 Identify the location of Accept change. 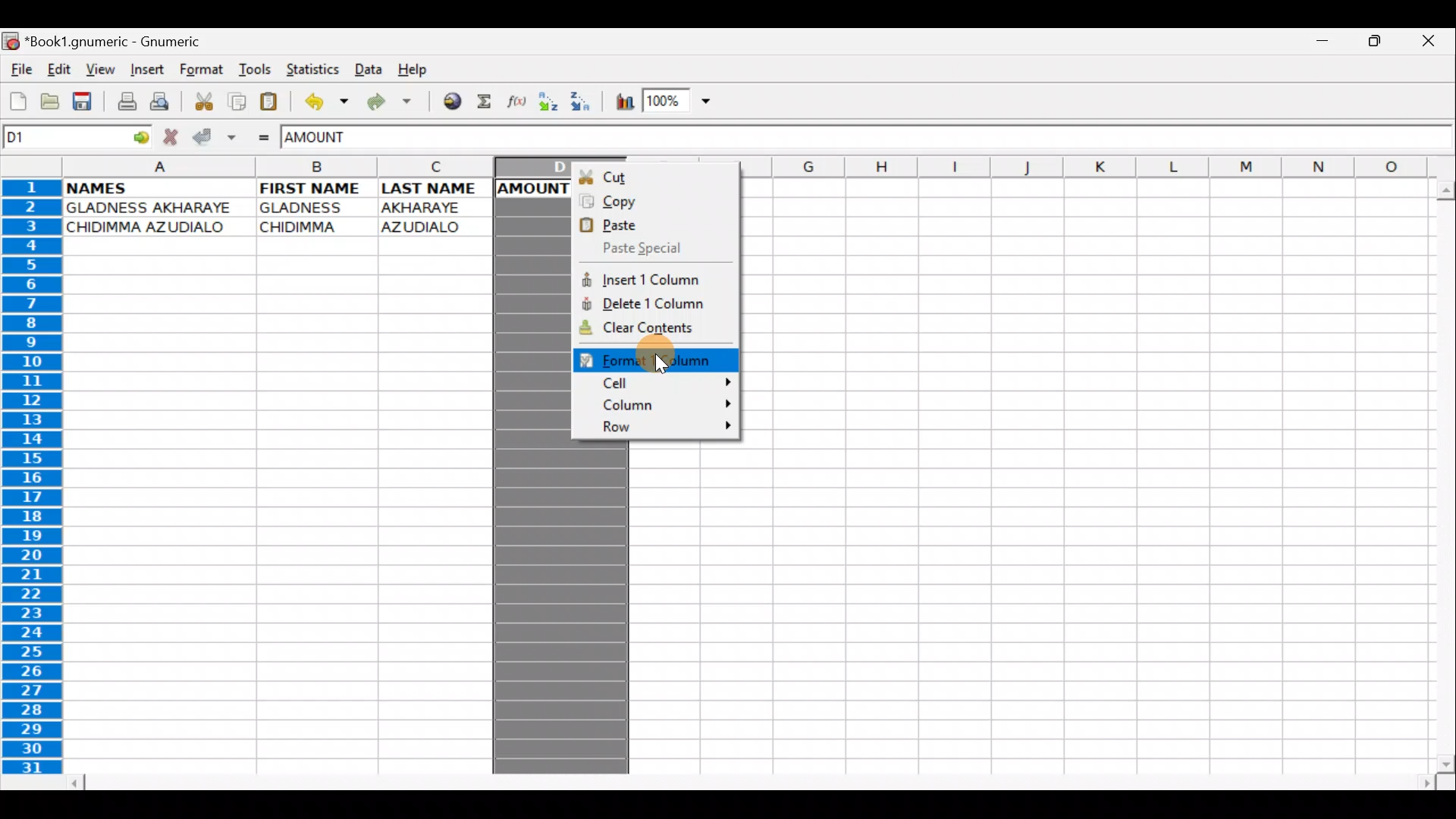
(213, 137).